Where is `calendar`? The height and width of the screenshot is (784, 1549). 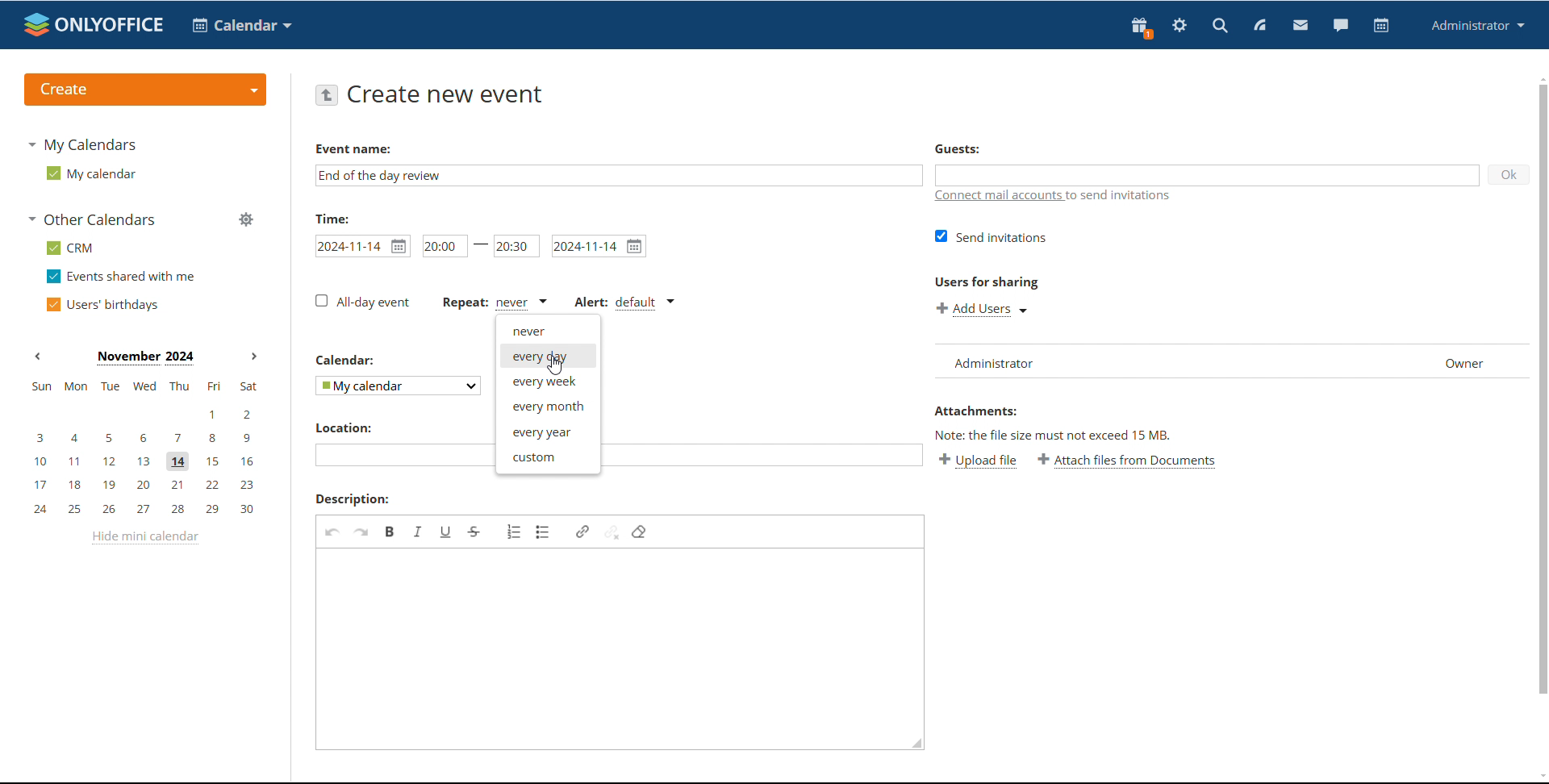 calendar is located at coordinates (1381, 26).